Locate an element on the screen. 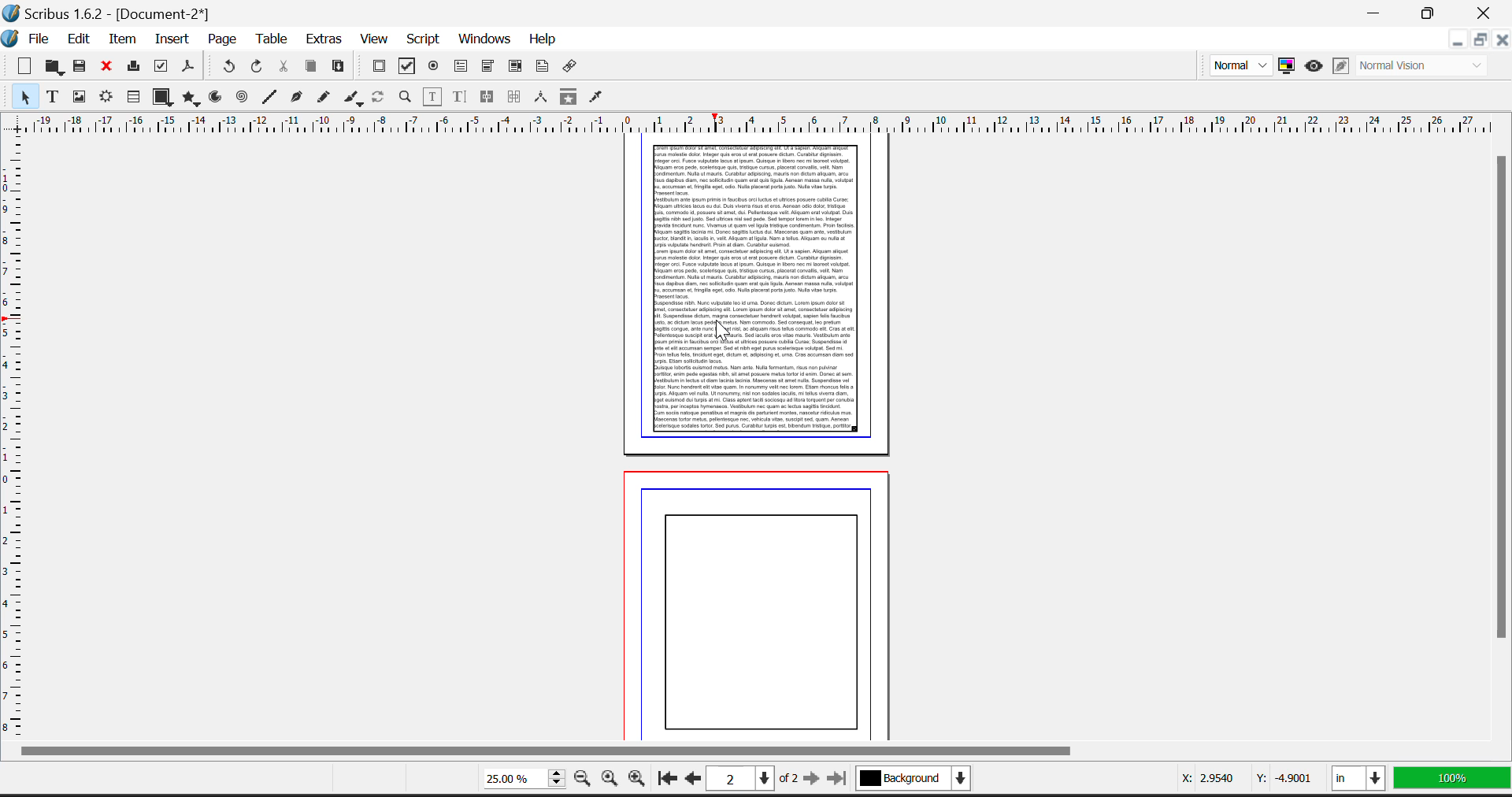  Scroll Bar is located at coordinates (1503, 444).